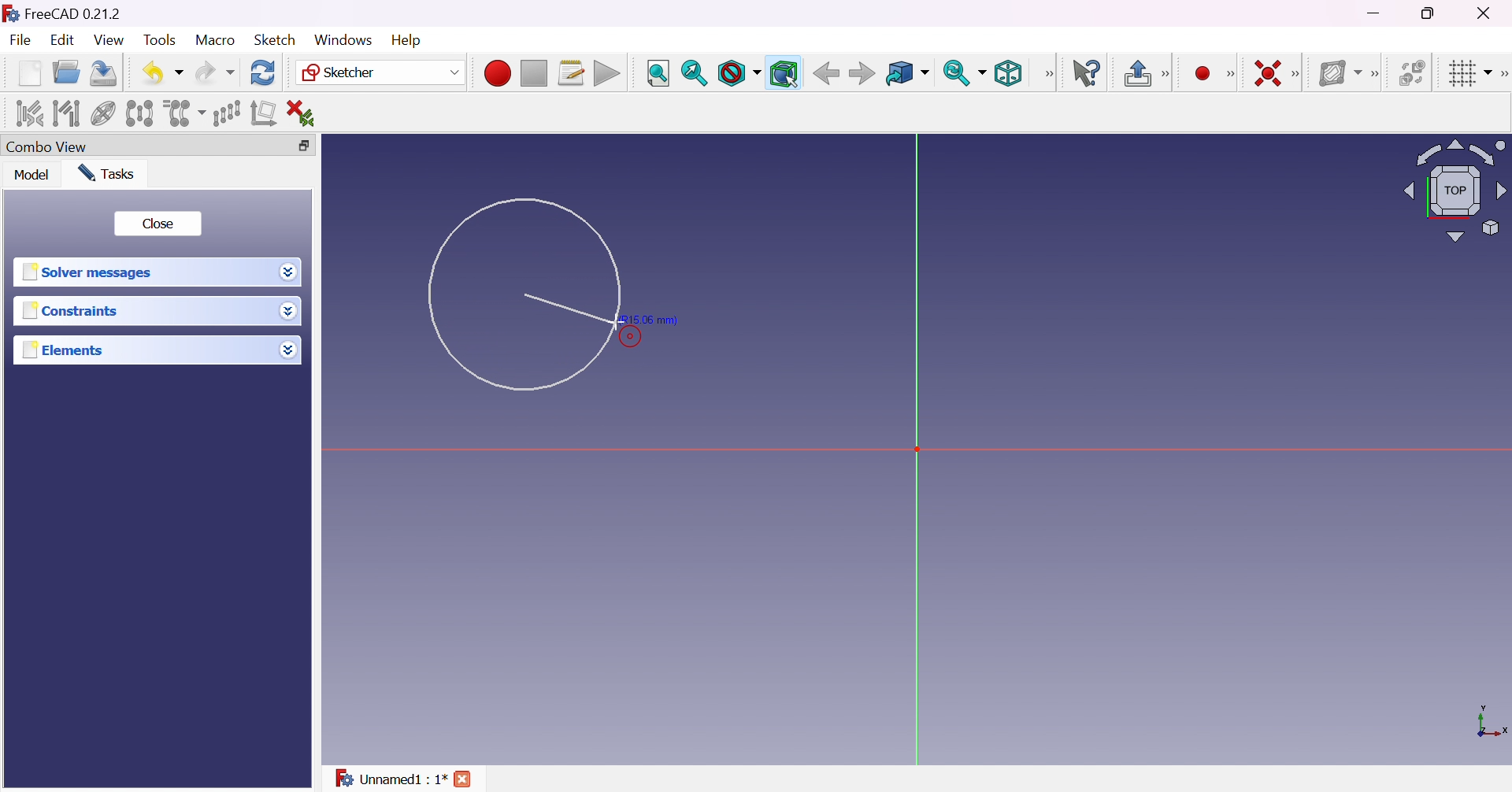 The image size is (1512, 792). What do you see at coordinates (105, 115) in the screenshot?
I see `Show/hide internal geometry` at bounding box center [105, 115].